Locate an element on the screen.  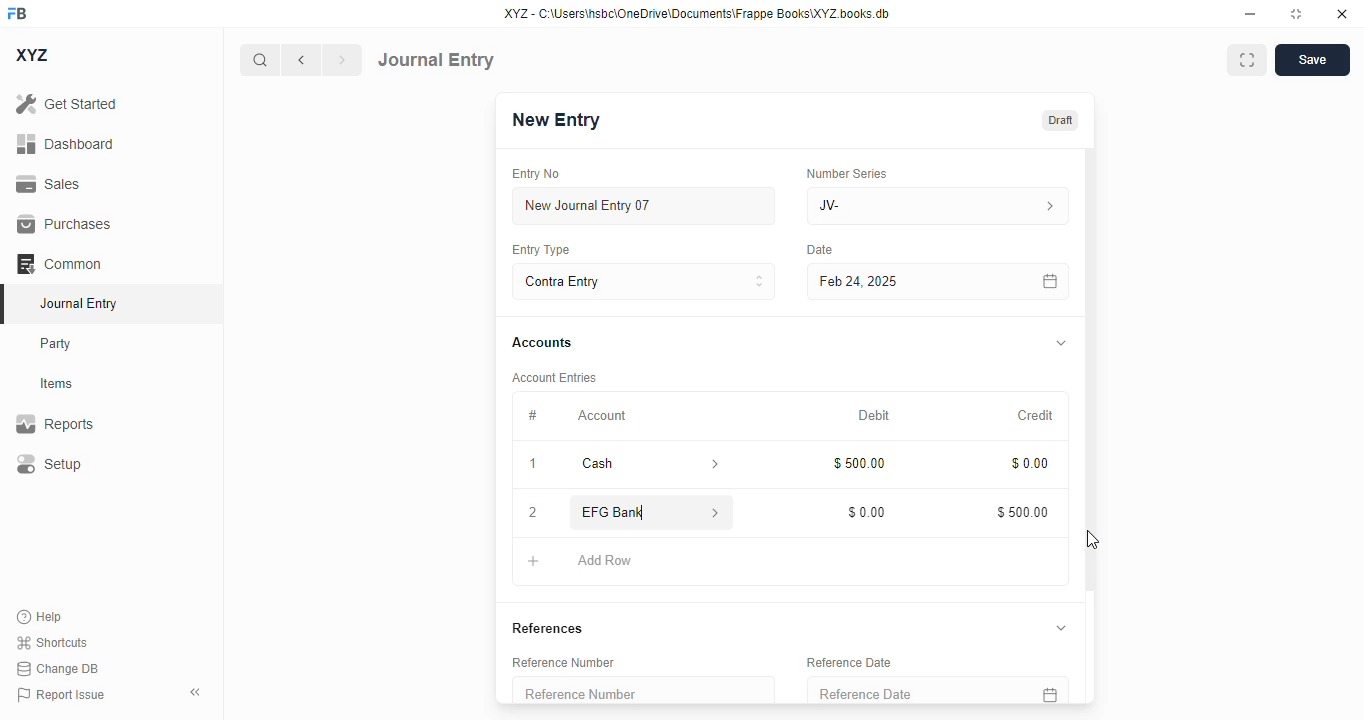
credit is located at coordinates (1037, 415).